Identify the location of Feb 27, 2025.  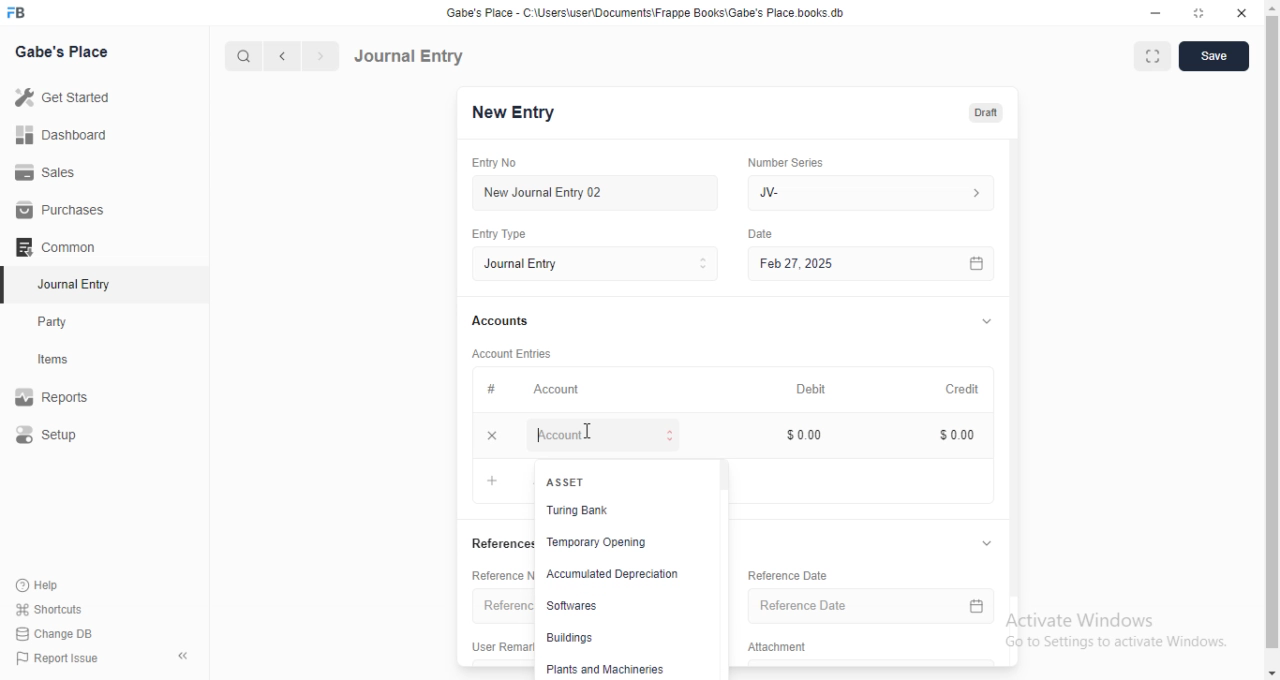
(883, 264).